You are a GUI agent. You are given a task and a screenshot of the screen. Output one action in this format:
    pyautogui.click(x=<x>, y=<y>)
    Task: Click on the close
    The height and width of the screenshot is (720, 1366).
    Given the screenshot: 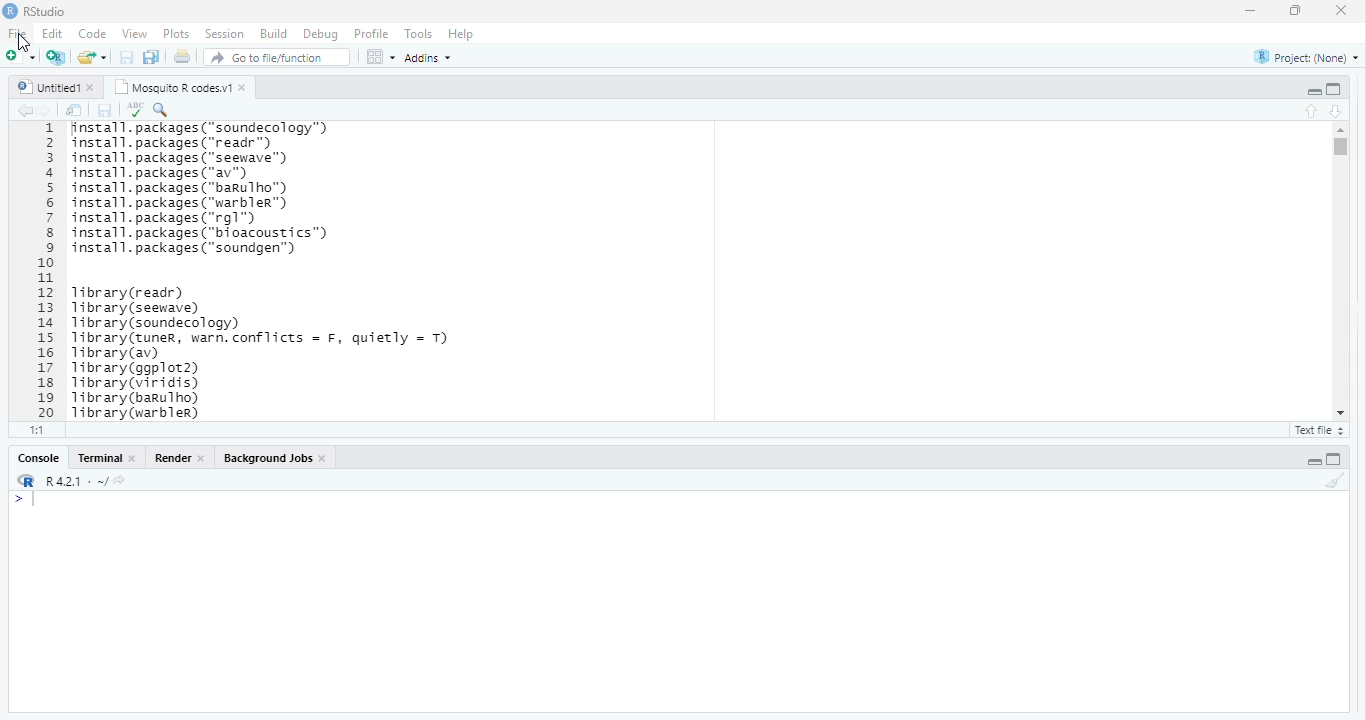 What is the action you would take?
    pyautogui.click(x=93, y=88)
    